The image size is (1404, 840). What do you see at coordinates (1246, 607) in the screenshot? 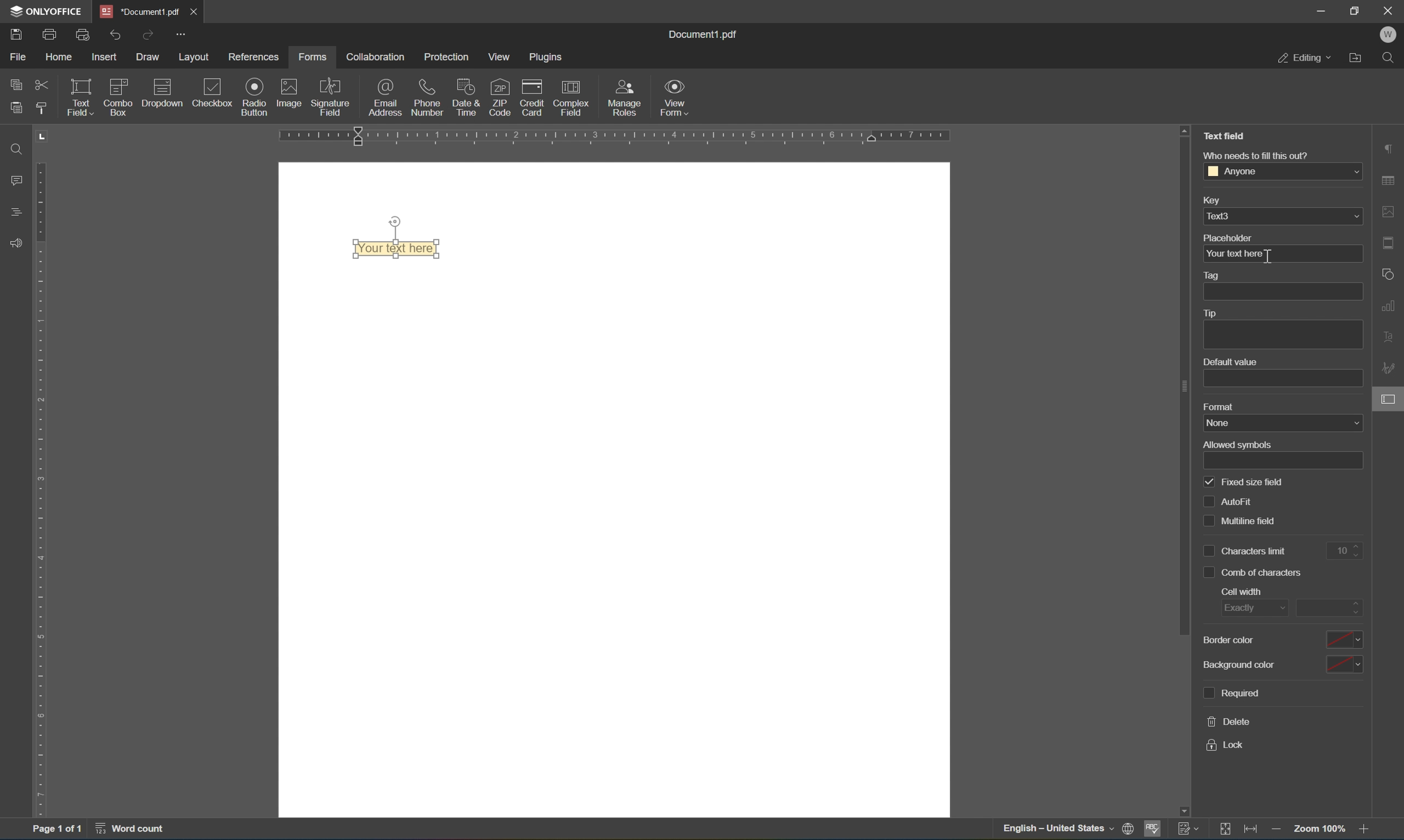
I see `exactly` at bounding box center [1246, 607].